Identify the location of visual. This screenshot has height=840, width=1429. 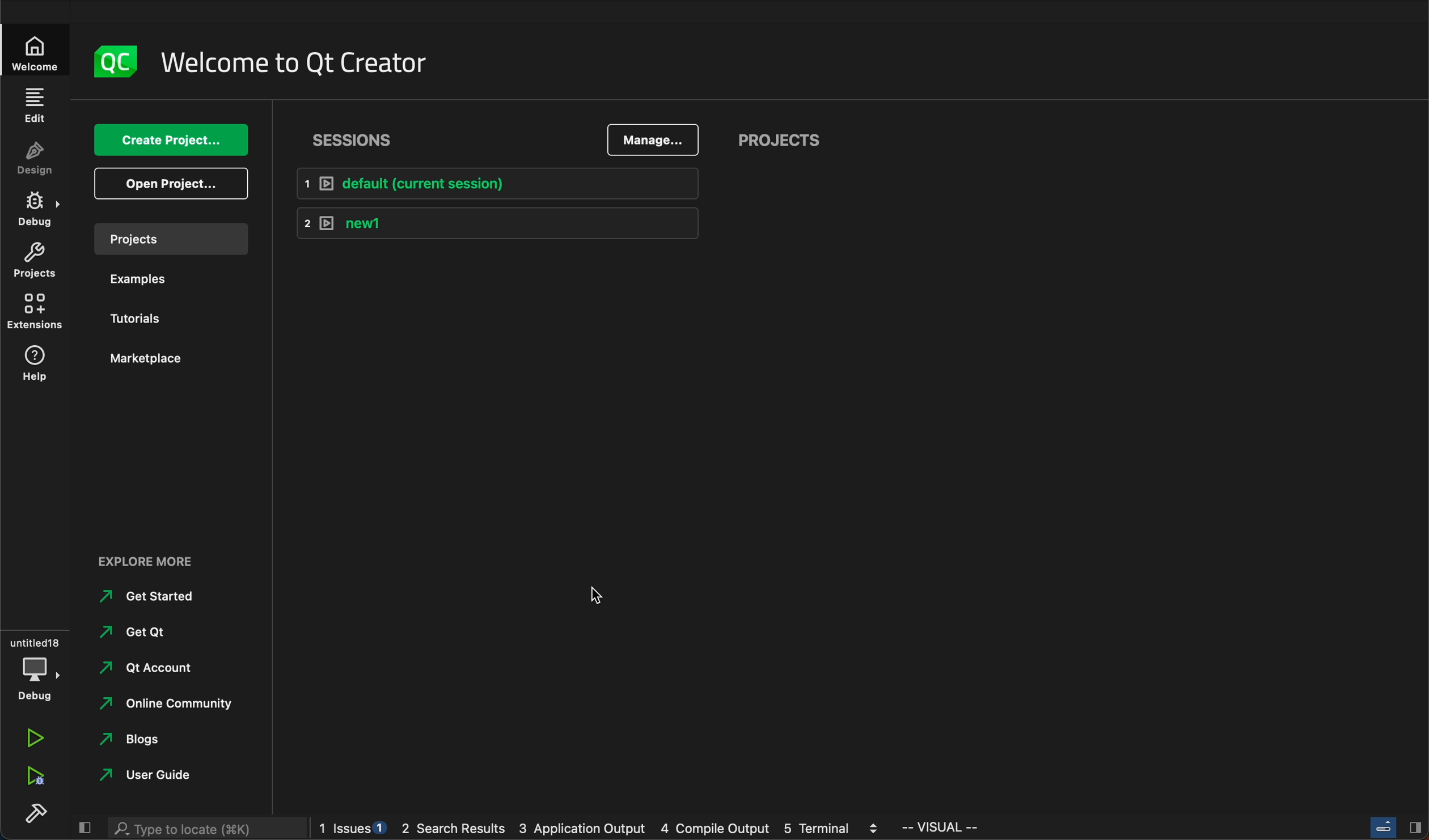
(969, 830).